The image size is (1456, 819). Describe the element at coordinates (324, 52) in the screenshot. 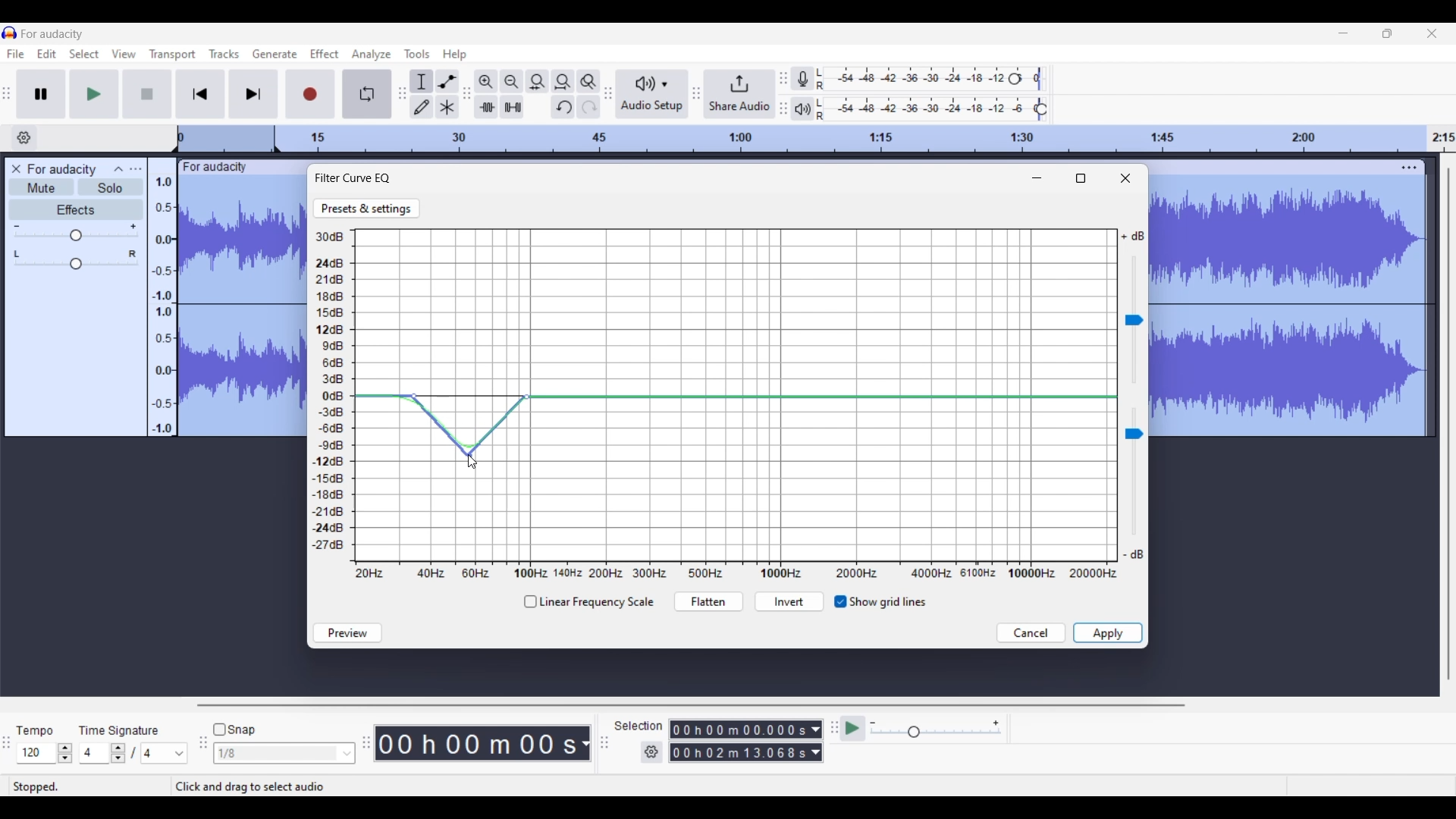

I see `Effect menu` at that location.